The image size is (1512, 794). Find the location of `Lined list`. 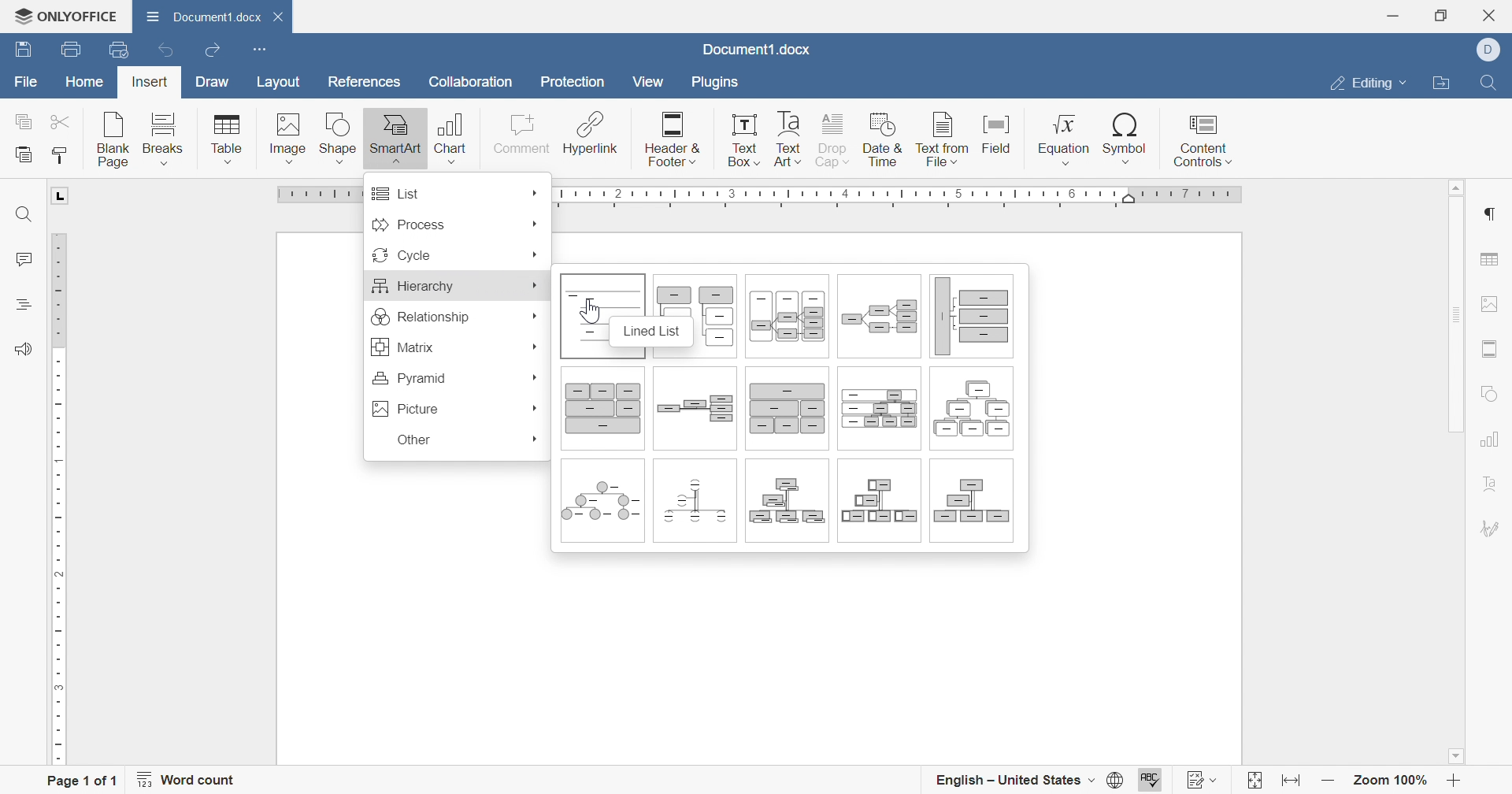

Lined list is located at coordinates (587, 317).